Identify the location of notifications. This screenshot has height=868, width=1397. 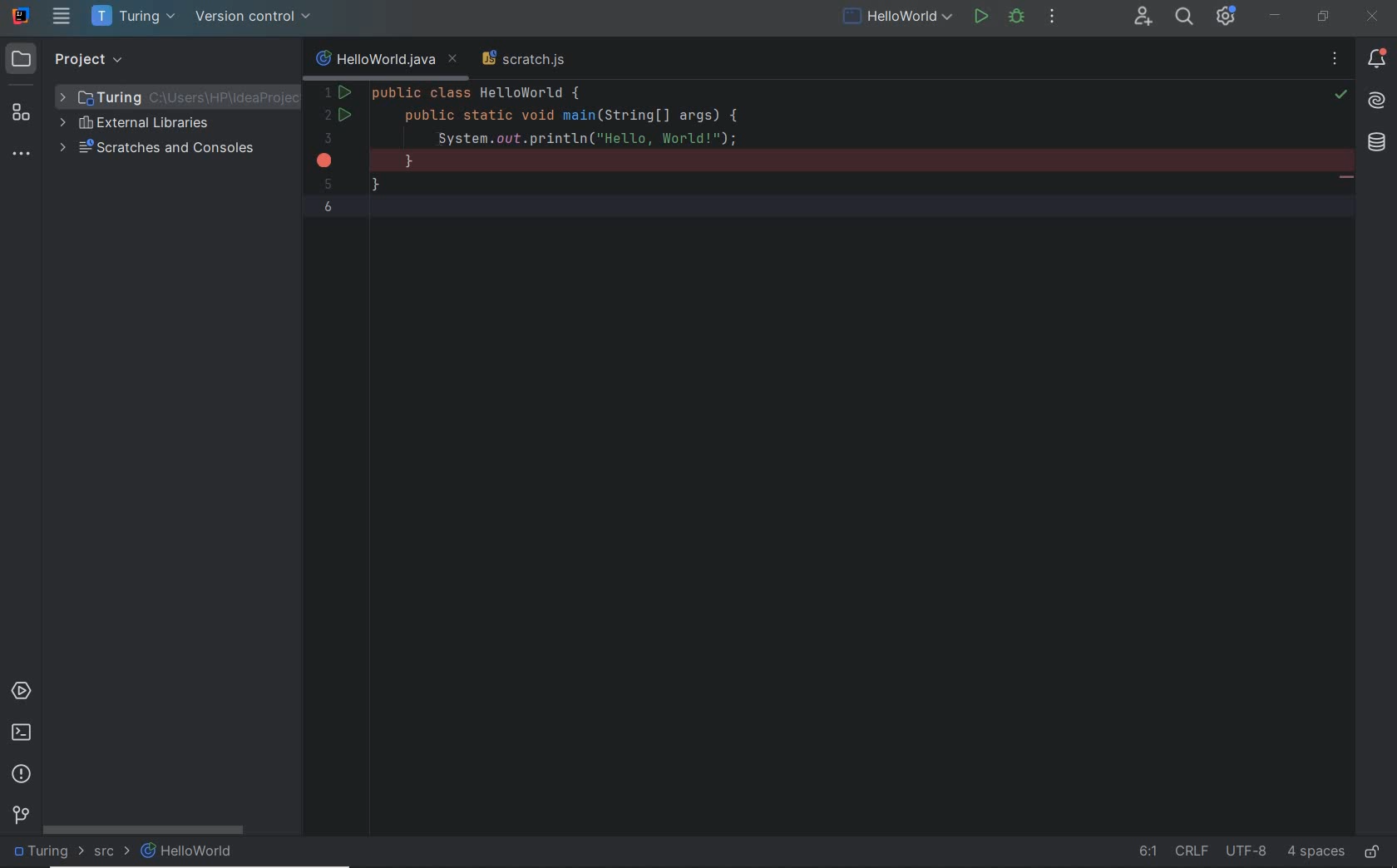
(1377, 58).